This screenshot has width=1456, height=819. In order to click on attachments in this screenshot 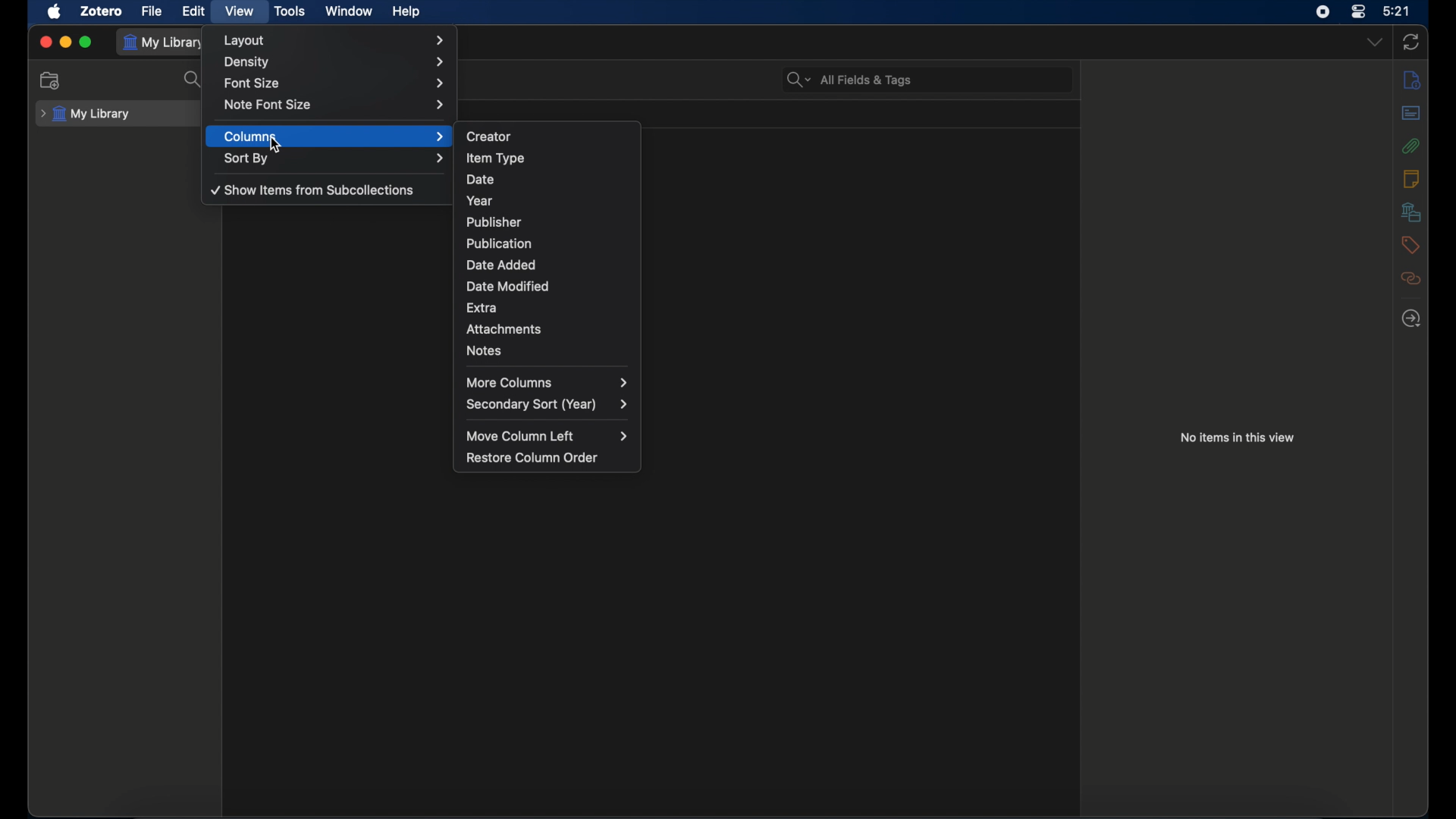, I will do `click(1411, 145)`.